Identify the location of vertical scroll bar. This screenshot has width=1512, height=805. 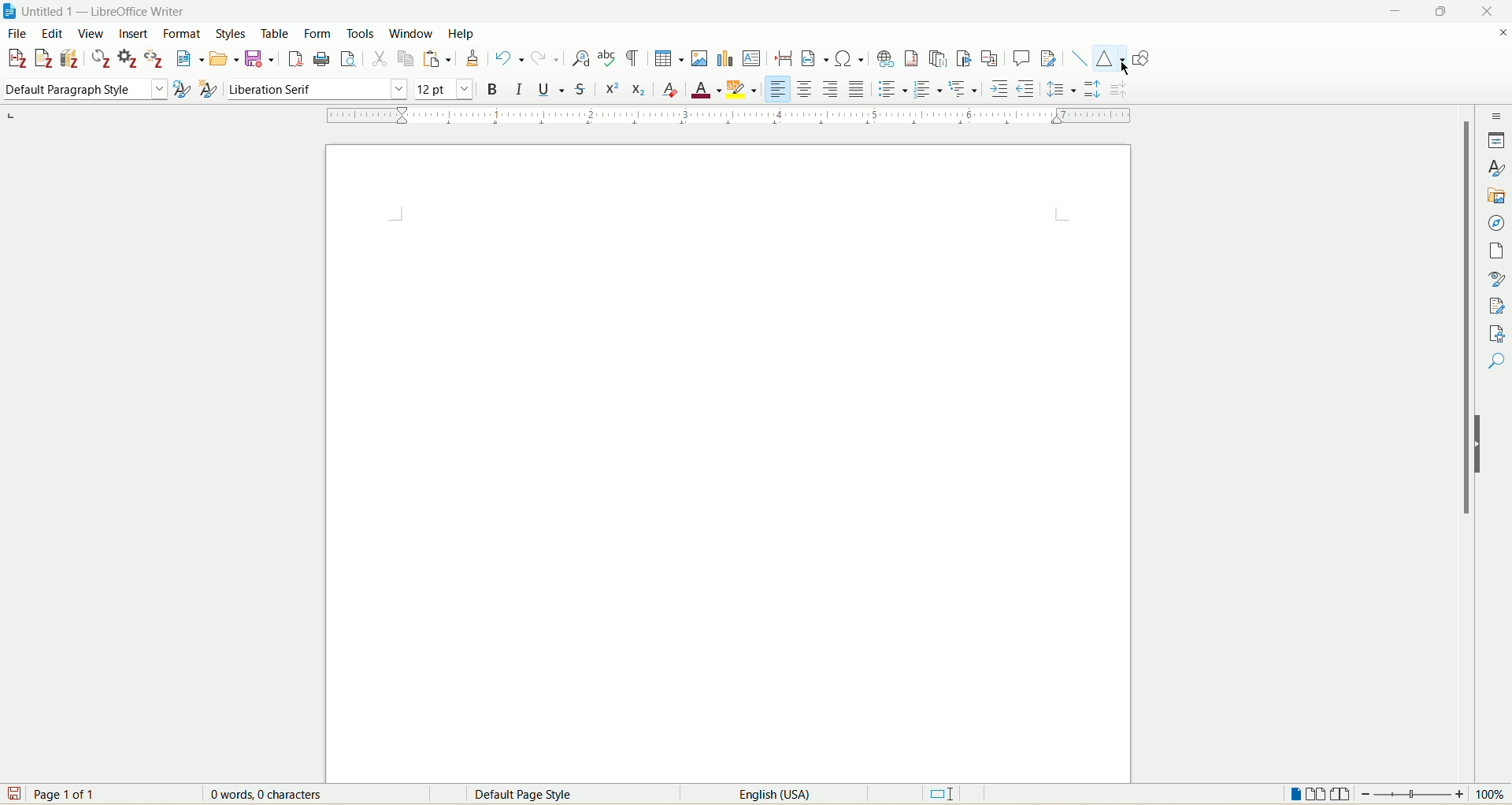
(1463, 432).